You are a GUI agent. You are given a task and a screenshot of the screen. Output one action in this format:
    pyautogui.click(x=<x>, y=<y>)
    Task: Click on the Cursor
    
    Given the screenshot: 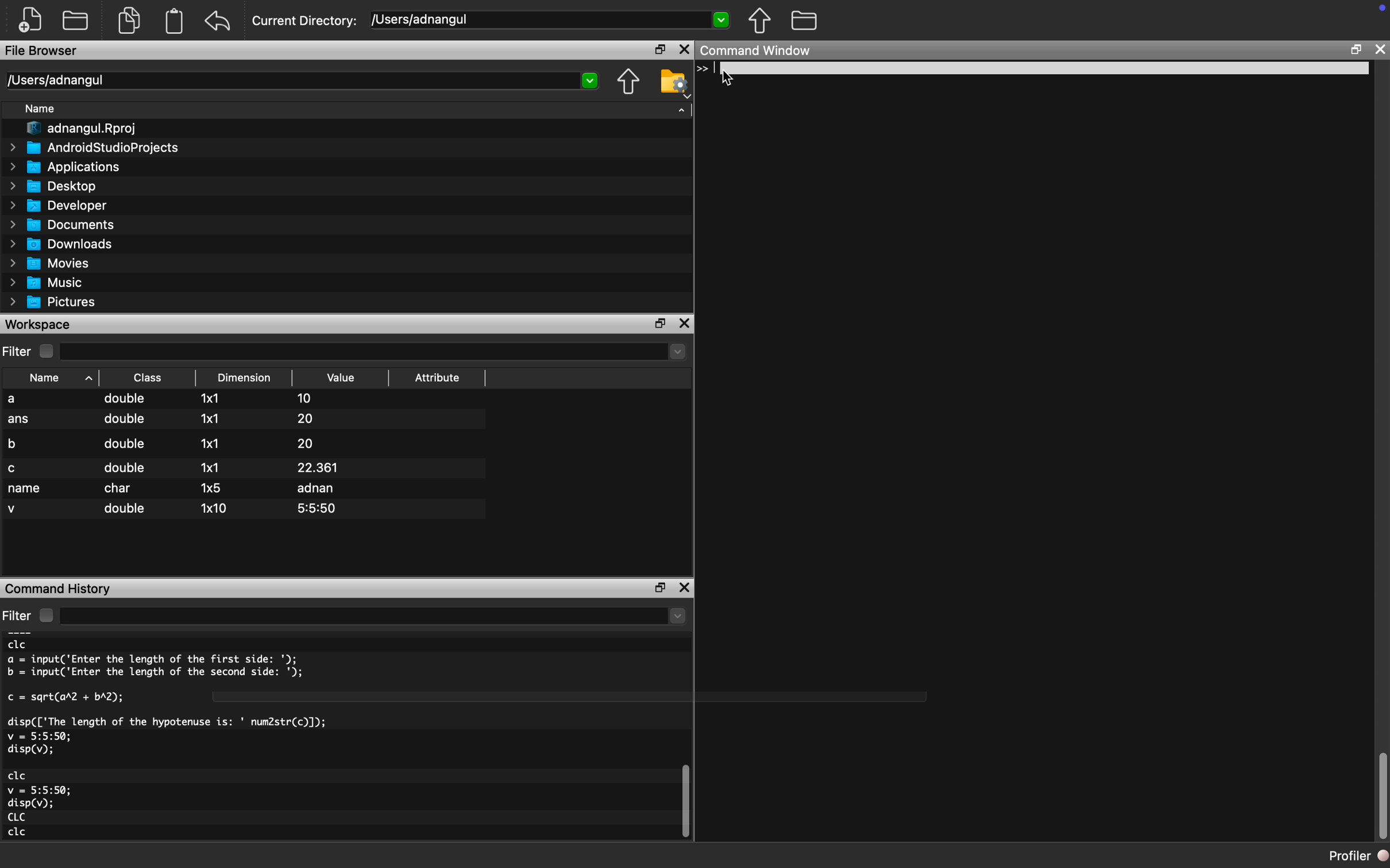 What is the action you would take?
    pyautogui.click(x=732, y=80)
    